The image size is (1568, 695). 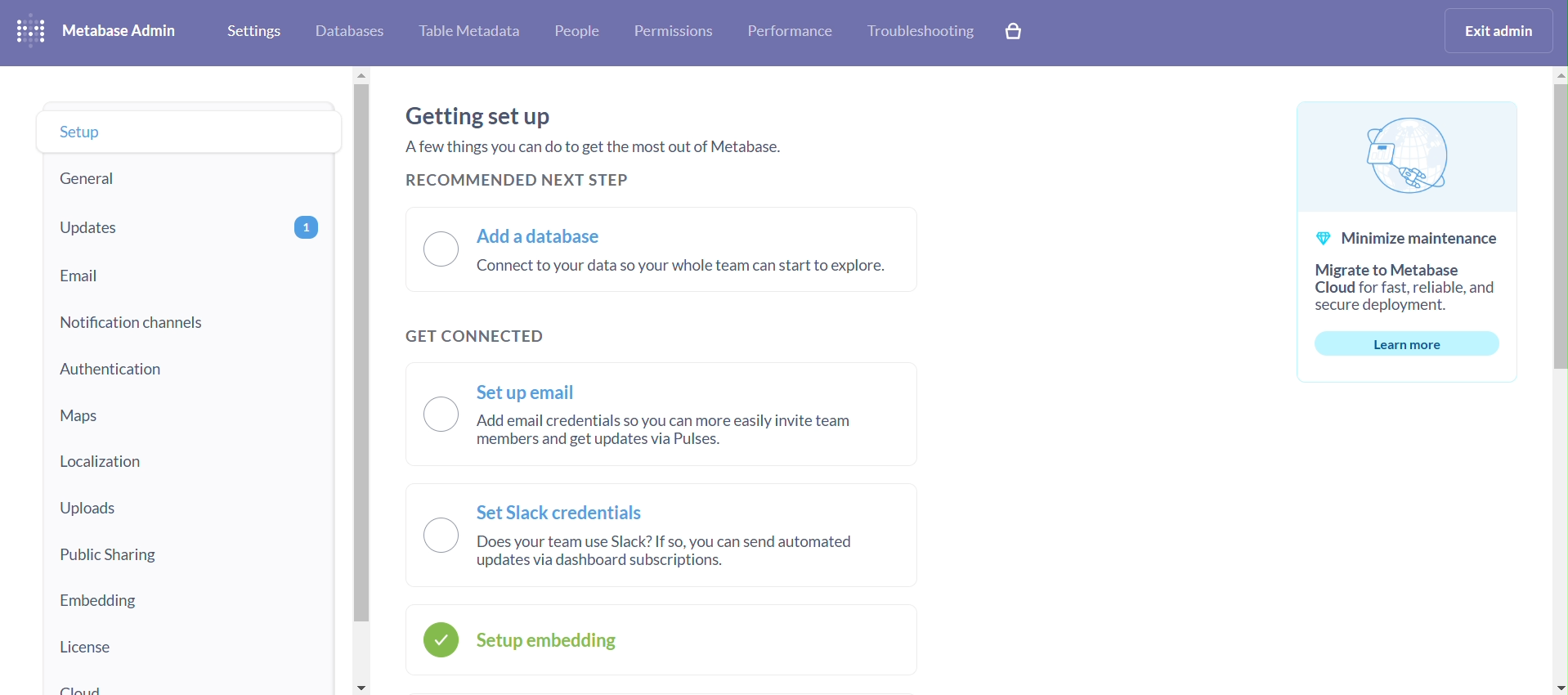 I want to click on settings, so click(x=253, y=33).